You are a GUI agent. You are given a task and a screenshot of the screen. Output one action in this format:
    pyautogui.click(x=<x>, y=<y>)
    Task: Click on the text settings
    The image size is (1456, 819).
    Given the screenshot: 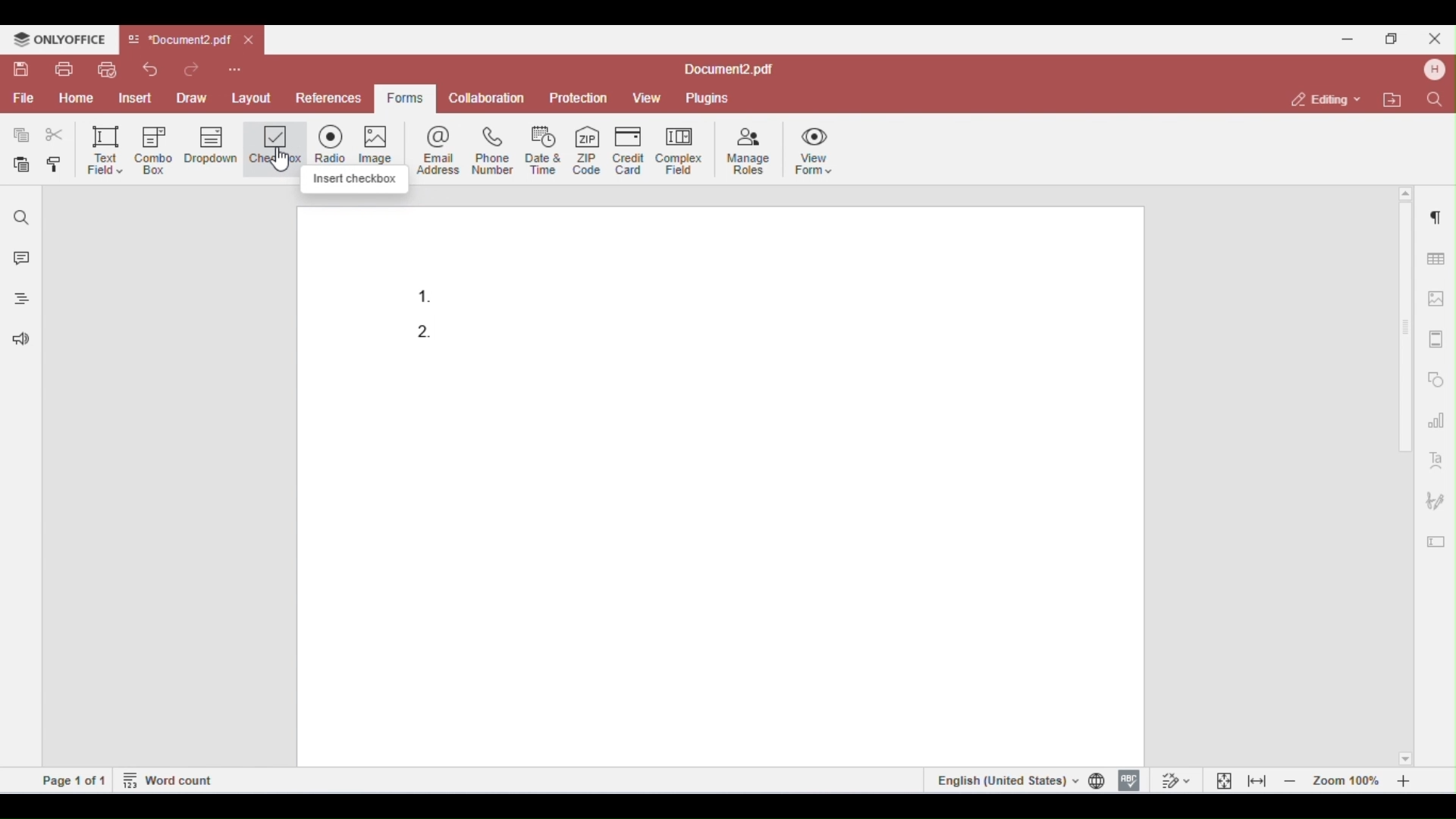 What is the action you would take?
    pyautogui.click(x=1436, y=459)
    